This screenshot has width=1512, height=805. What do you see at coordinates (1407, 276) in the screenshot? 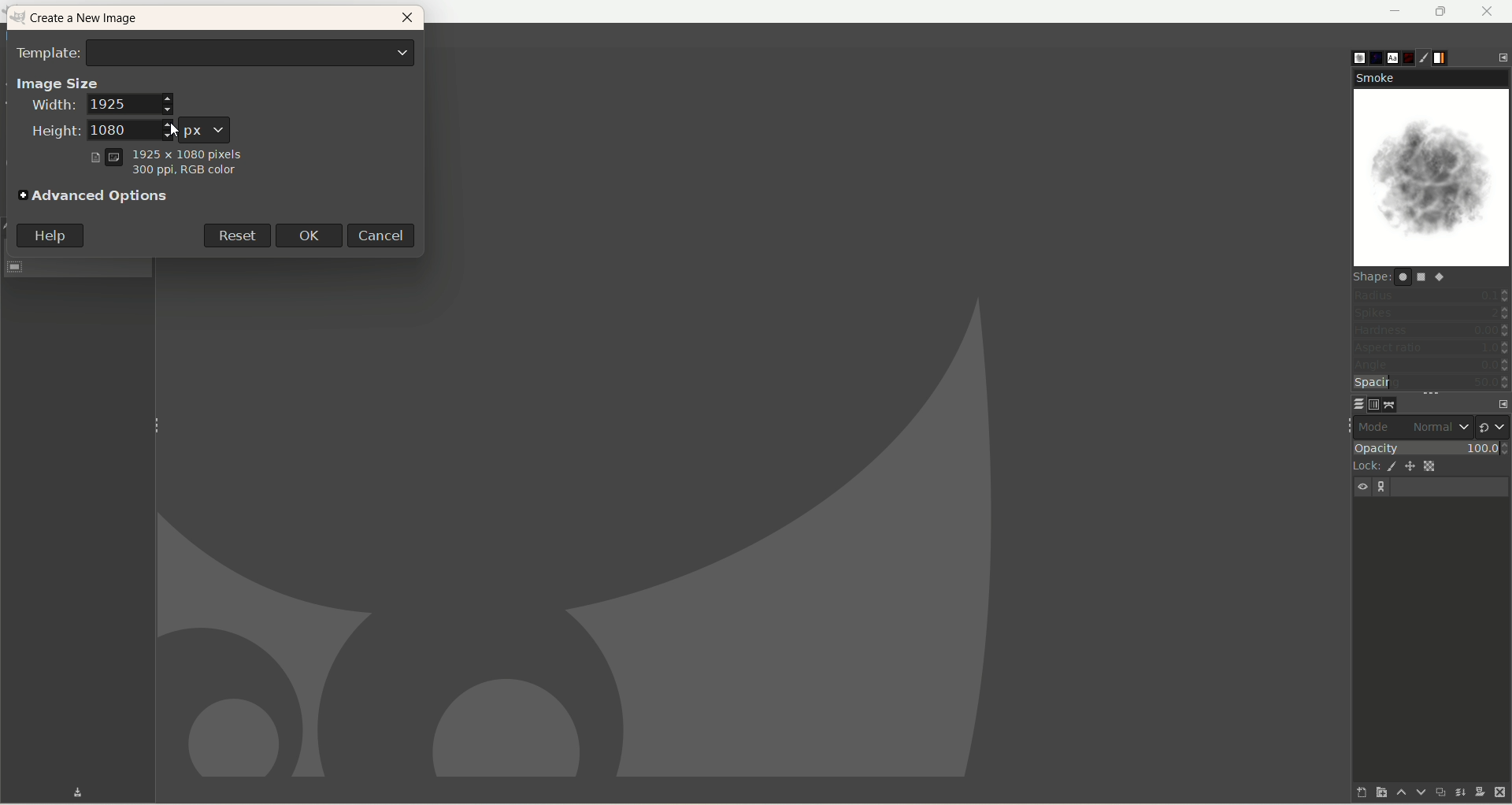
I see `shape` at bounding box center [1407, 276].